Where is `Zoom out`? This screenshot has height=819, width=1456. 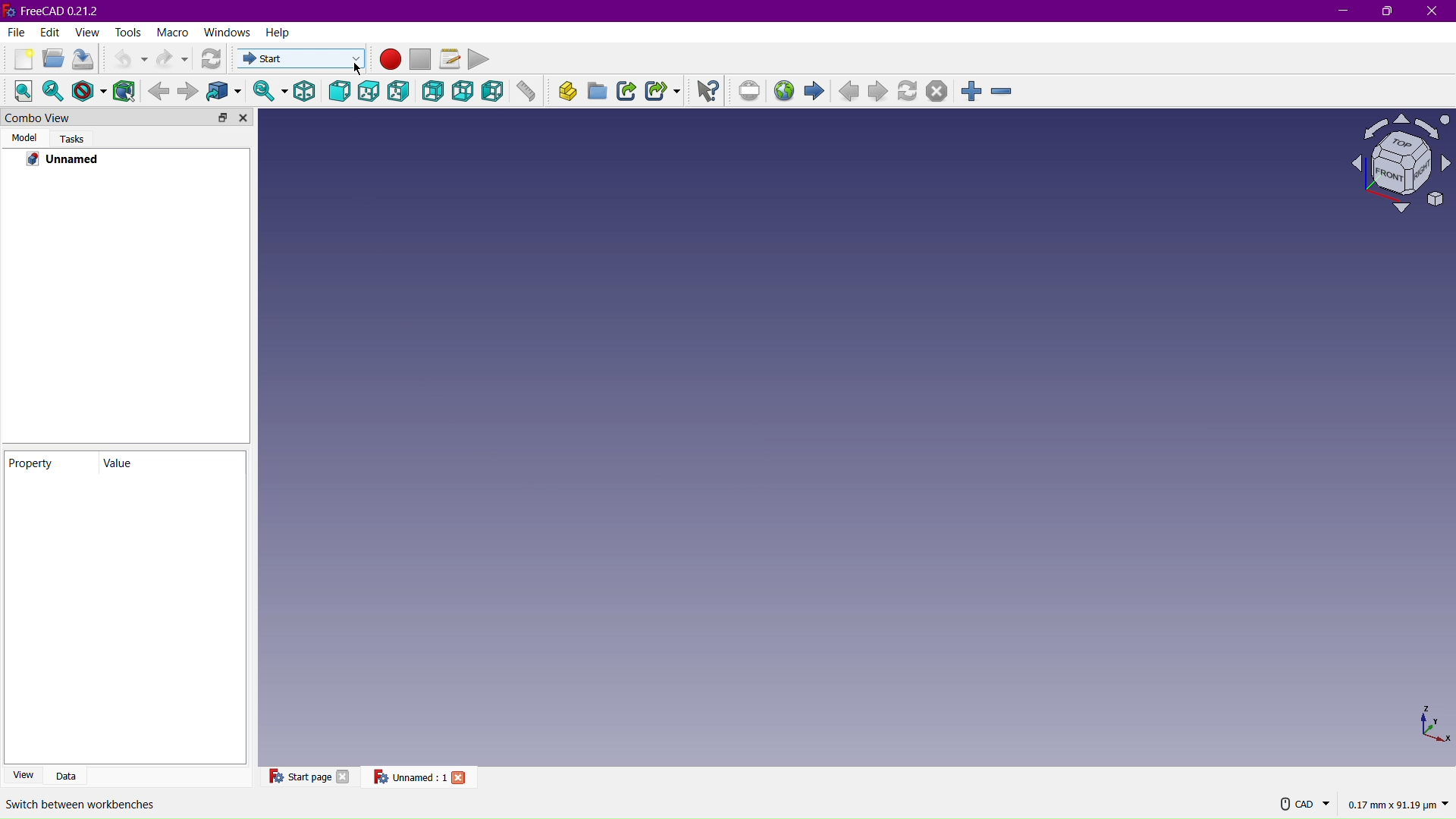 Zoom out is located at coordinates (1001, 89).